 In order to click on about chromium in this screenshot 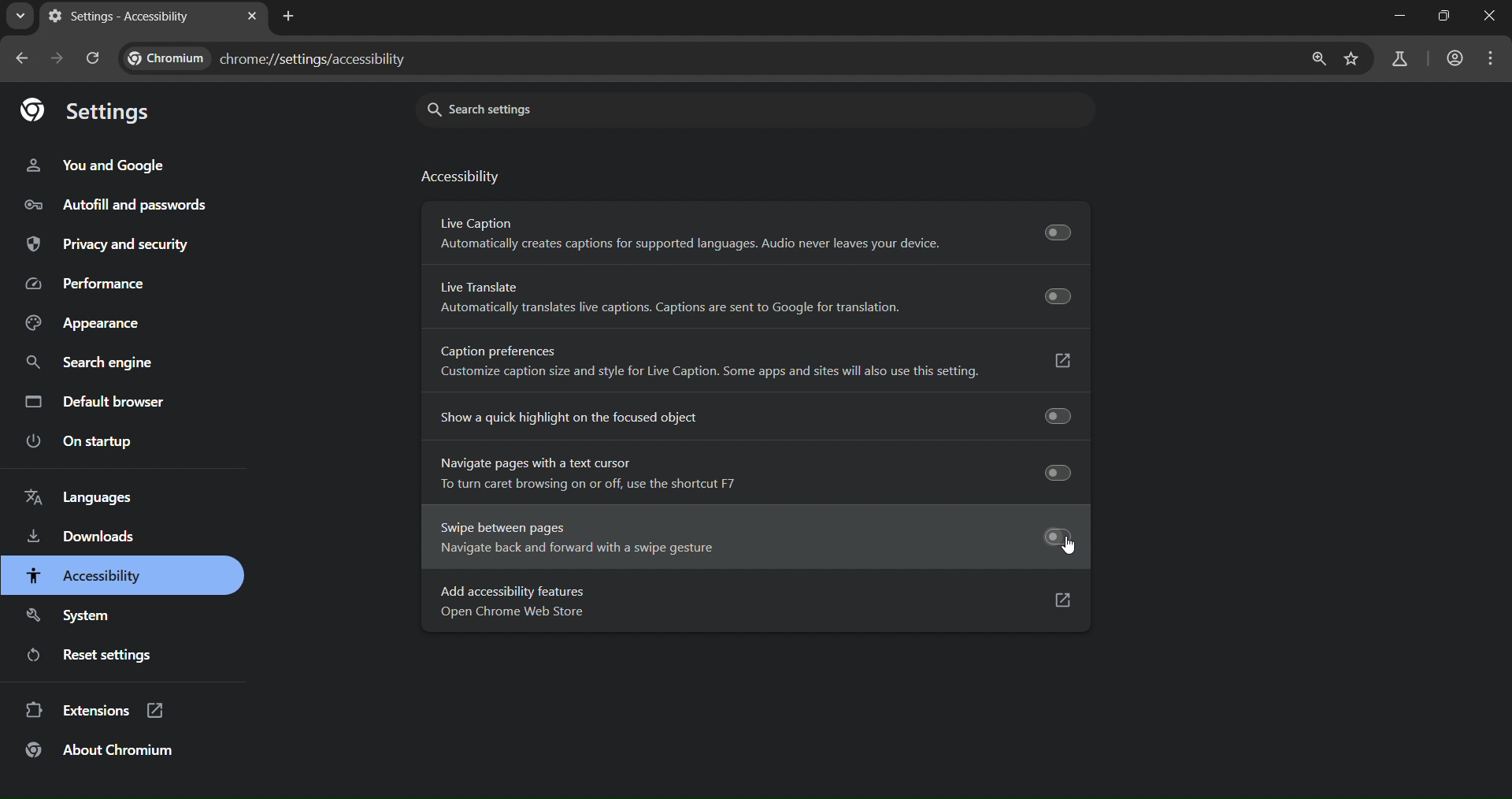, I will do `click(102, 755)`.